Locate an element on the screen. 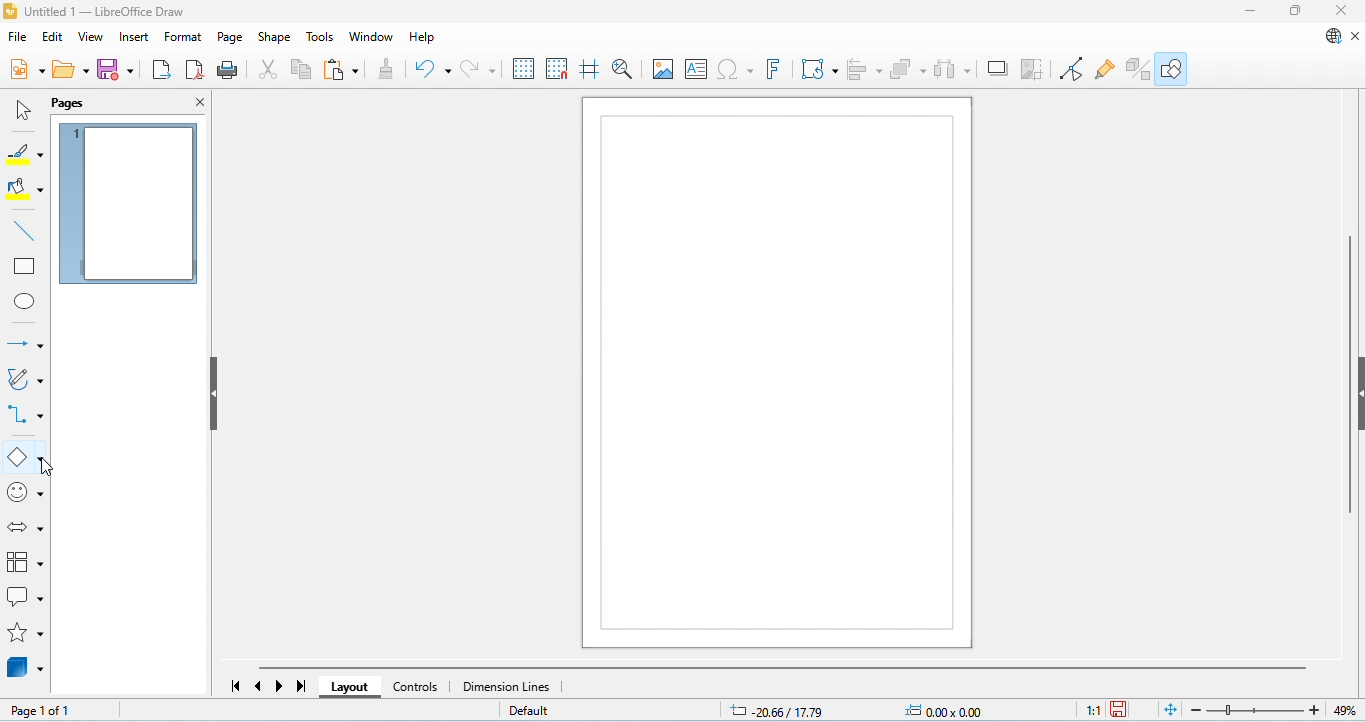  hide/open is located at coordinates (1357, 395).